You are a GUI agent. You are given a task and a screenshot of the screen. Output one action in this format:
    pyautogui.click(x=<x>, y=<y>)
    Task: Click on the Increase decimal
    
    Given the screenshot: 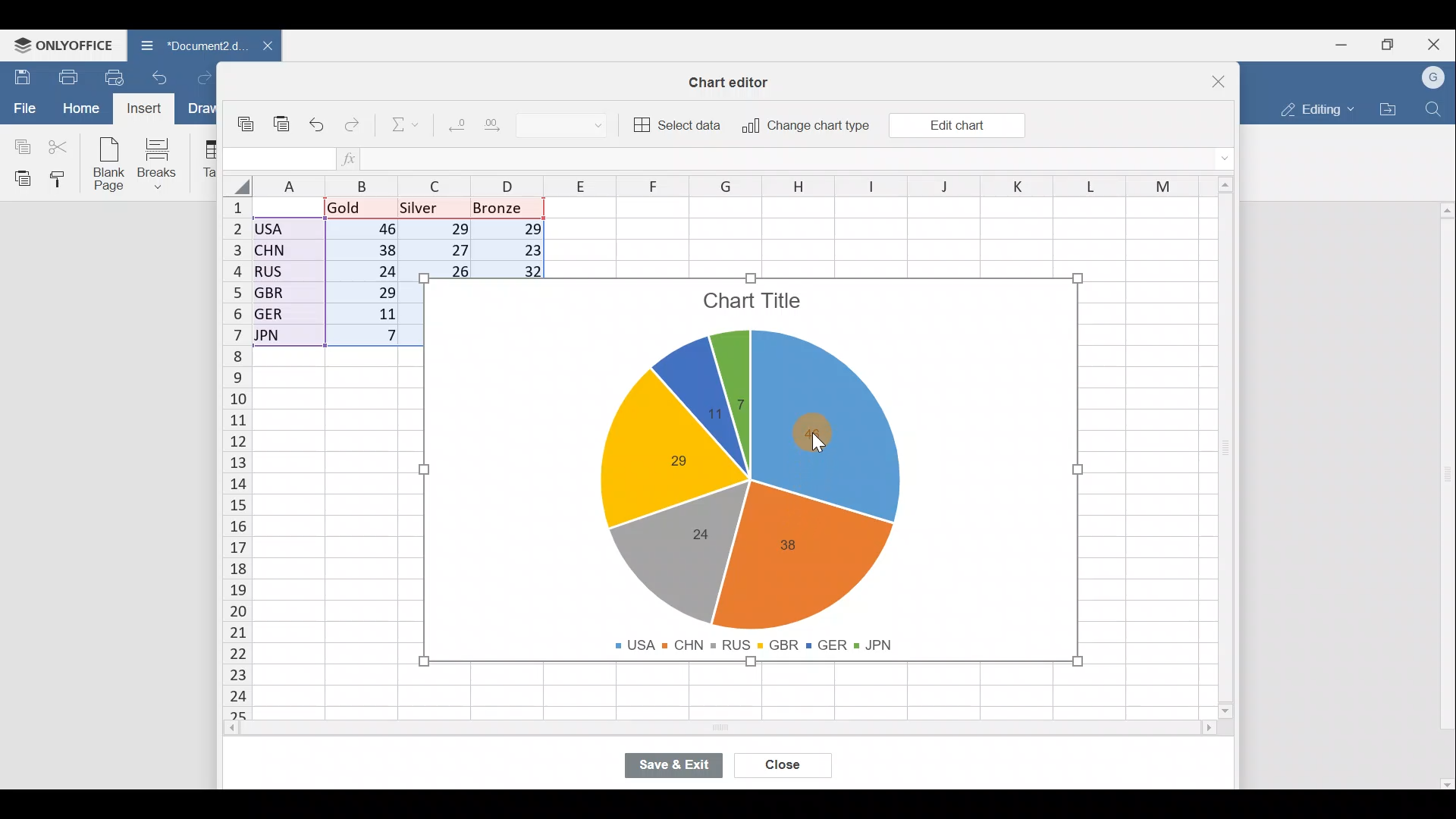 What is the action you would take?
    pyautogui.click(x=496, y=123)
    